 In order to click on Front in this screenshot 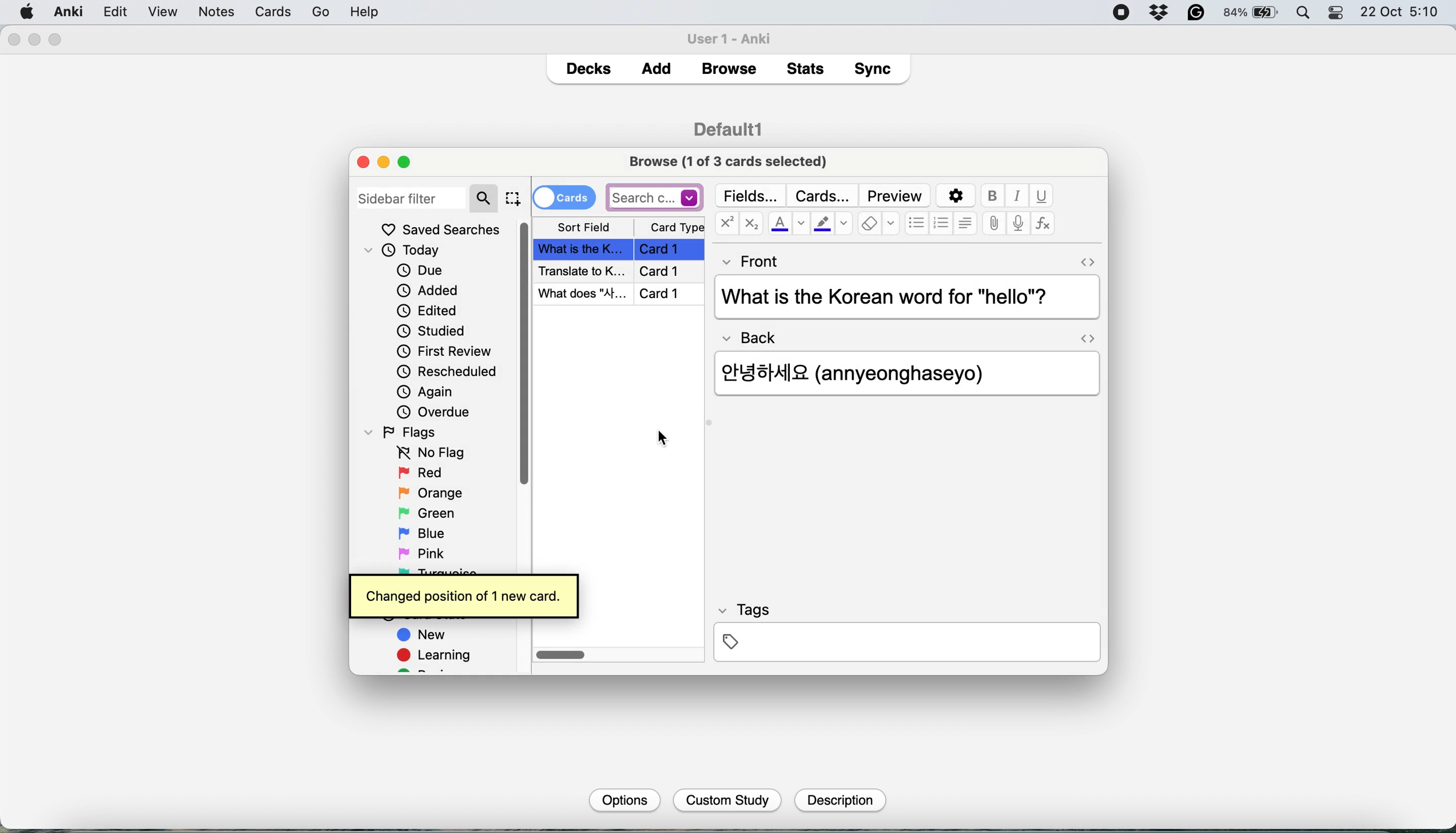, I will do `click(751, 259)`.